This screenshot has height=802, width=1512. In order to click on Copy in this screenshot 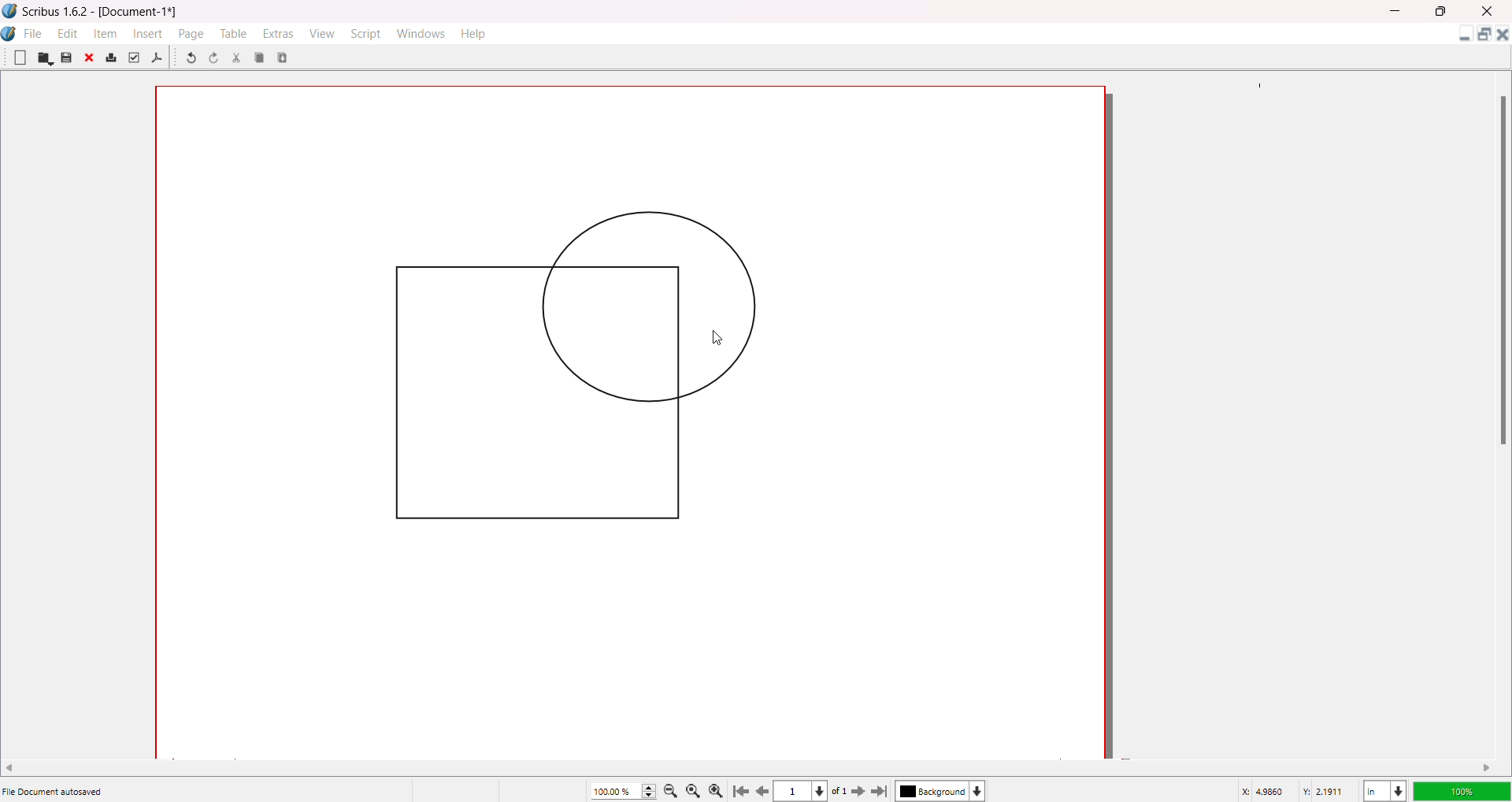, I will do `click(260, 57)`.